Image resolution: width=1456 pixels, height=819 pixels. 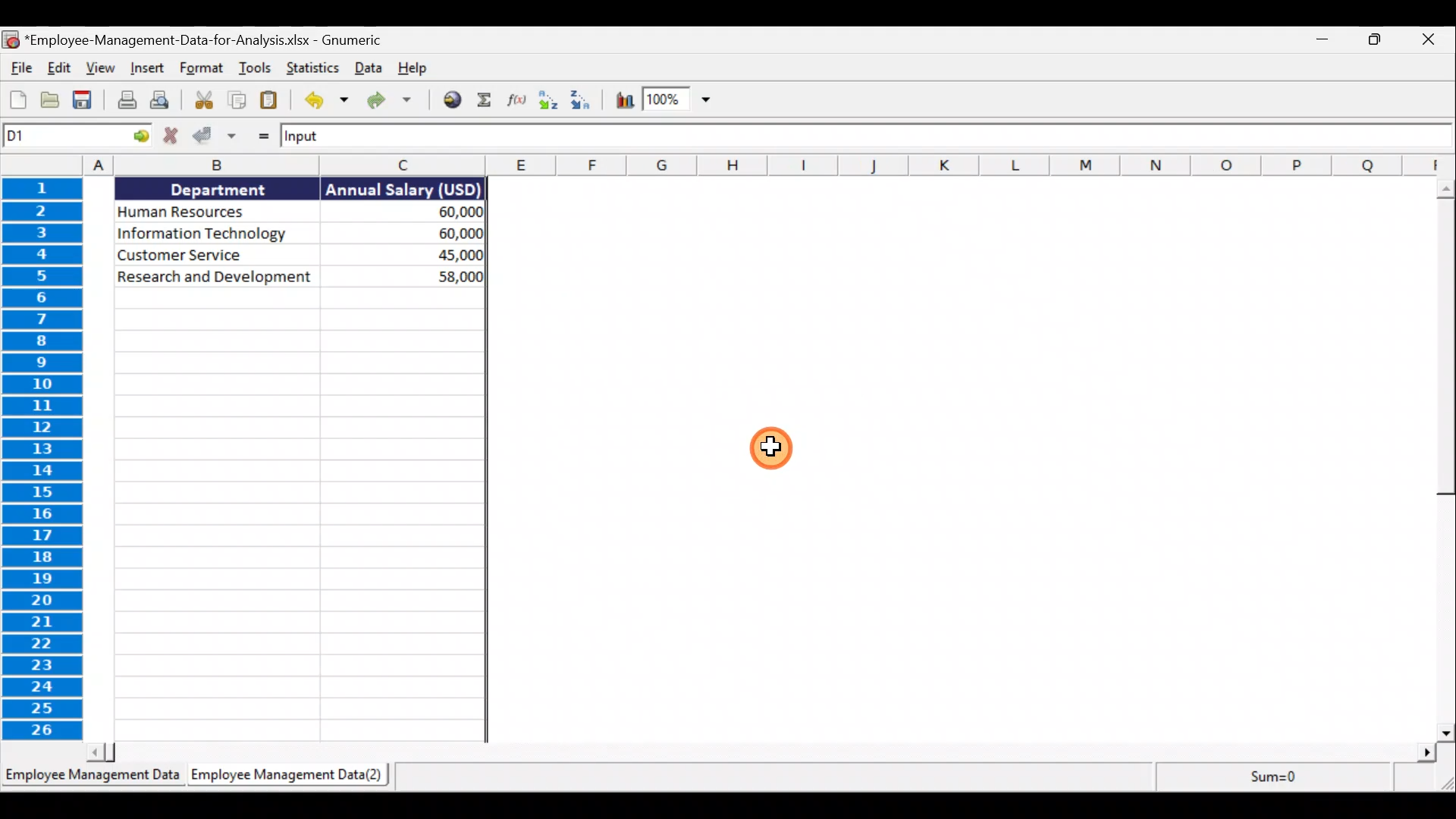 What do you see at coordinates (1373, 38) in the screenshot?
I see `Maximise` at bounding box center [1373, 38].